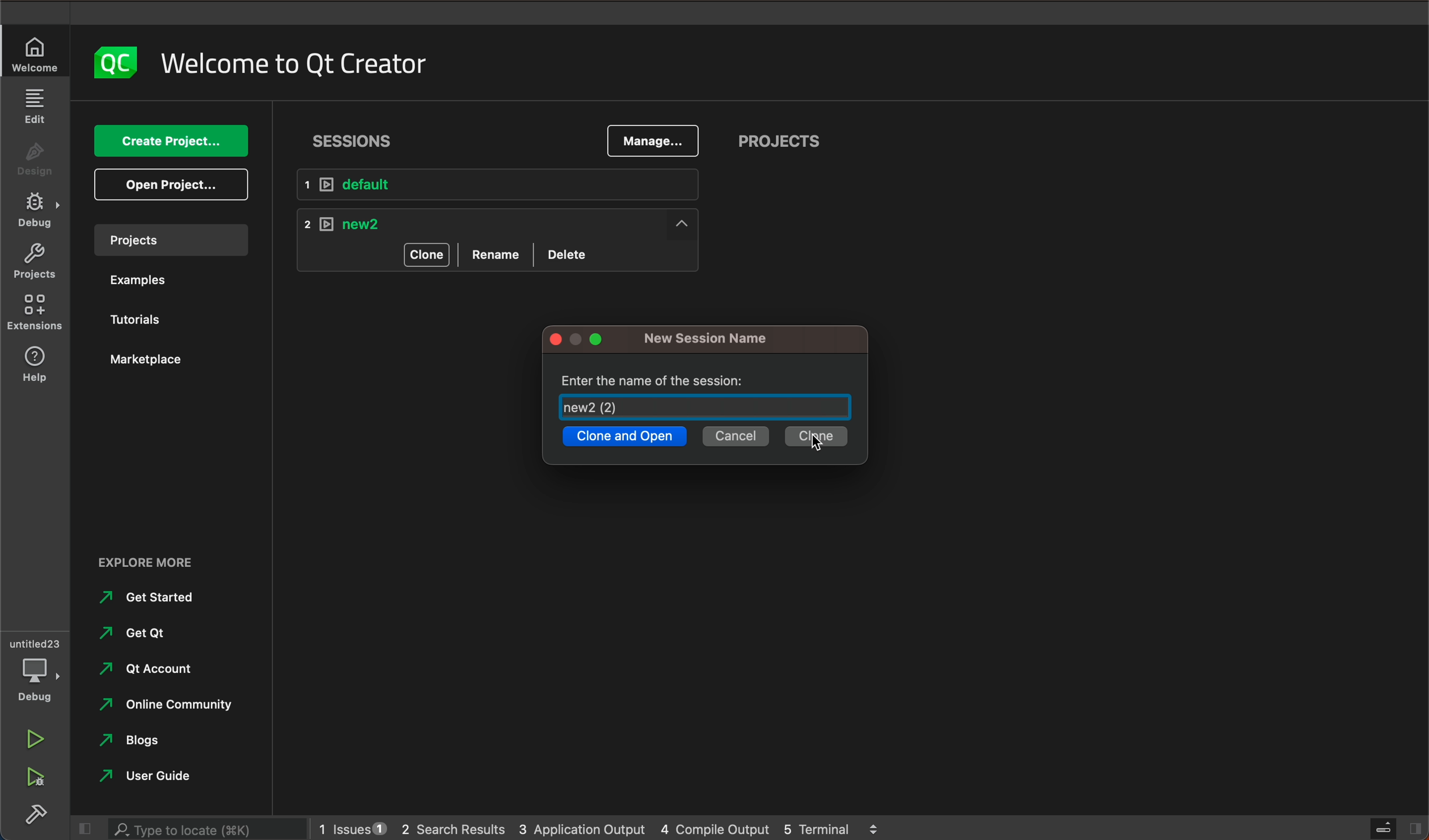 This screenshot has height=840, width=1429. I want to click on run, so click(35, 739).